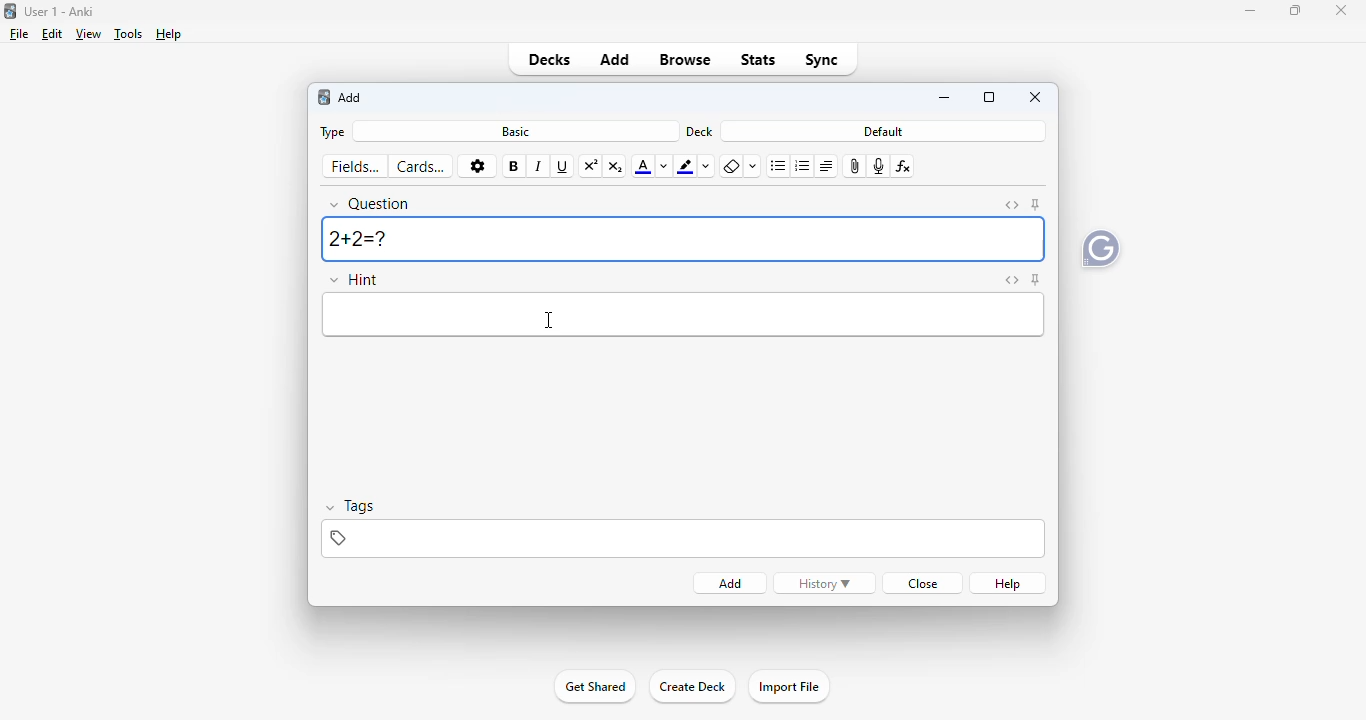 Image resolution: width=1366 pixels, height=720 pixels. Describe the element at coordinates (1295, 10) in the screenshot. I see `maximize` at that location.